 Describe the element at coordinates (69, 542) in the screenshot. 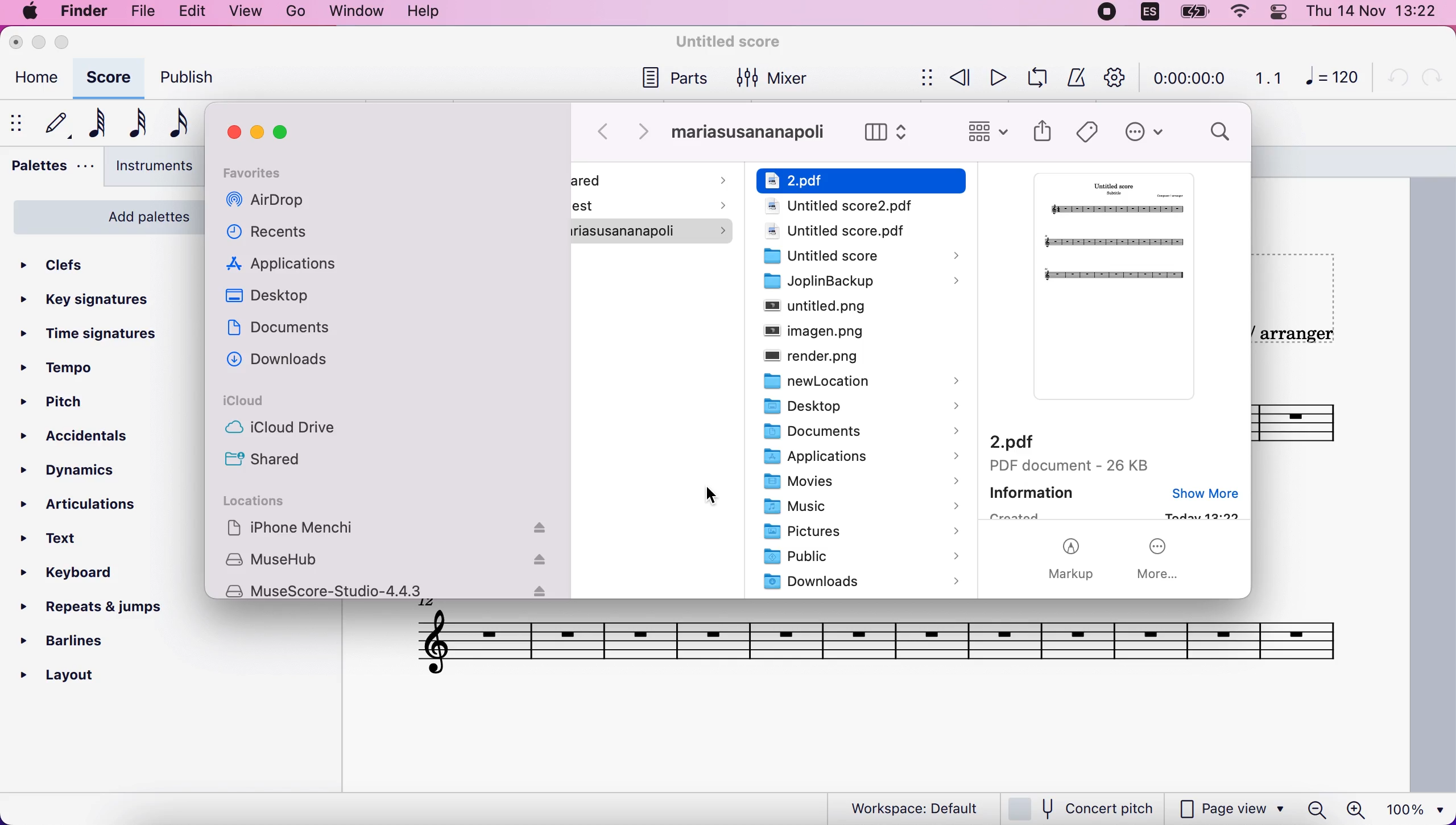

I see `text` at that location.